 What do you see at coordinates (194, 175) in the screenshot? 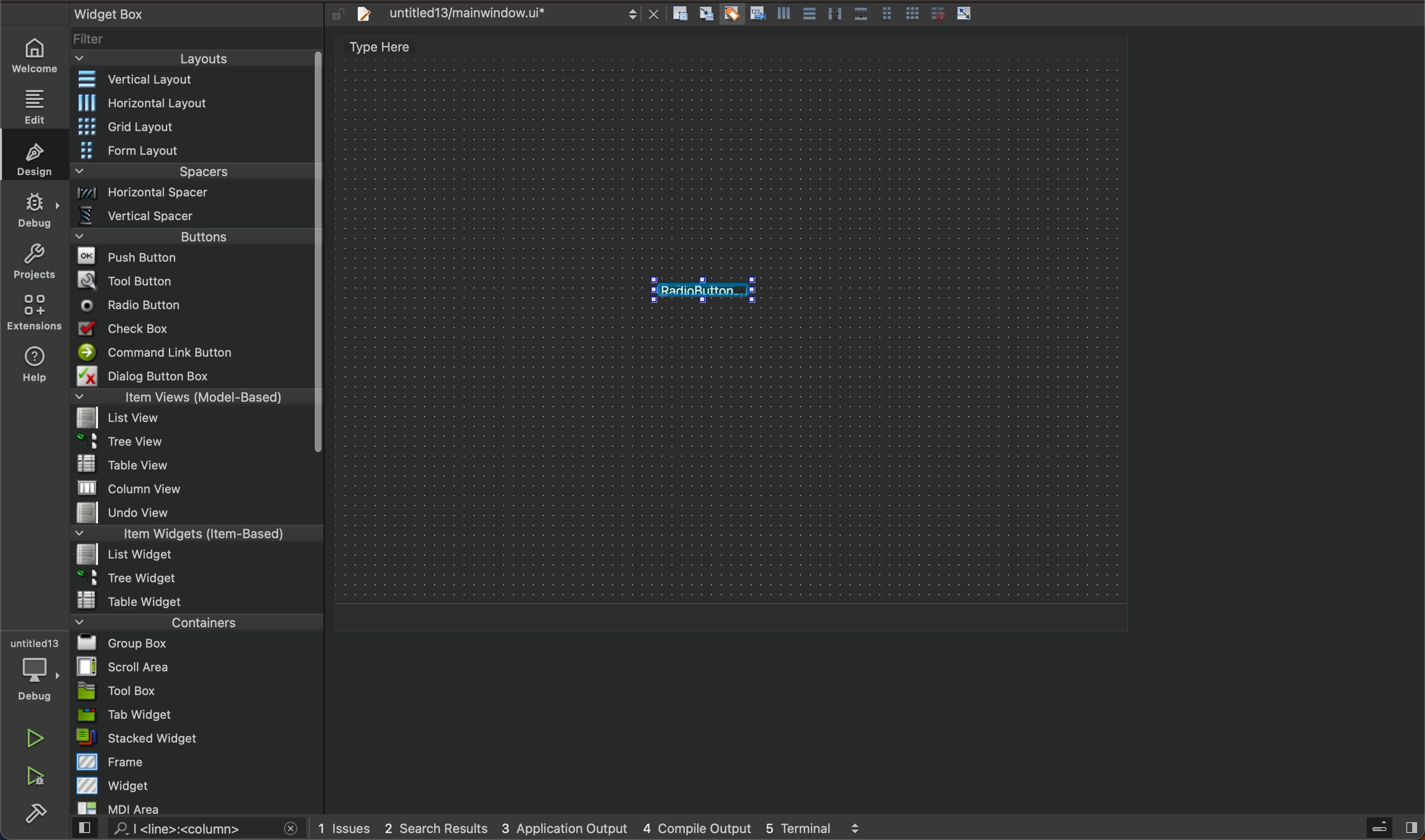
I see `spacers` at bounding box center [194, 175].